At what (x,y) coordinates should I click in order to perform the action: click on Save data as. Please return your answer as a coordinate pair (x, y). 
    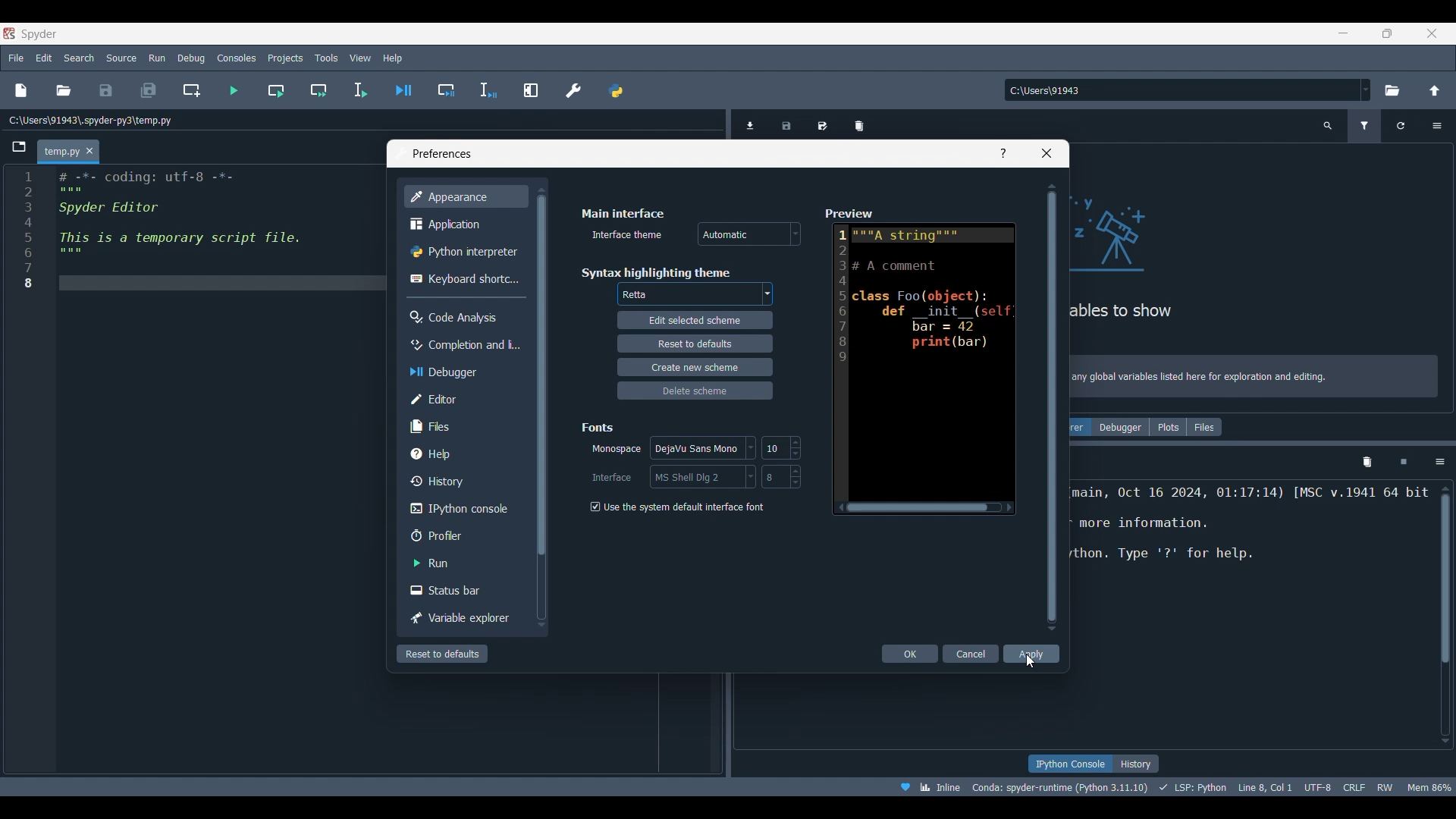
    Looking at the image, I should click on (823, 123).